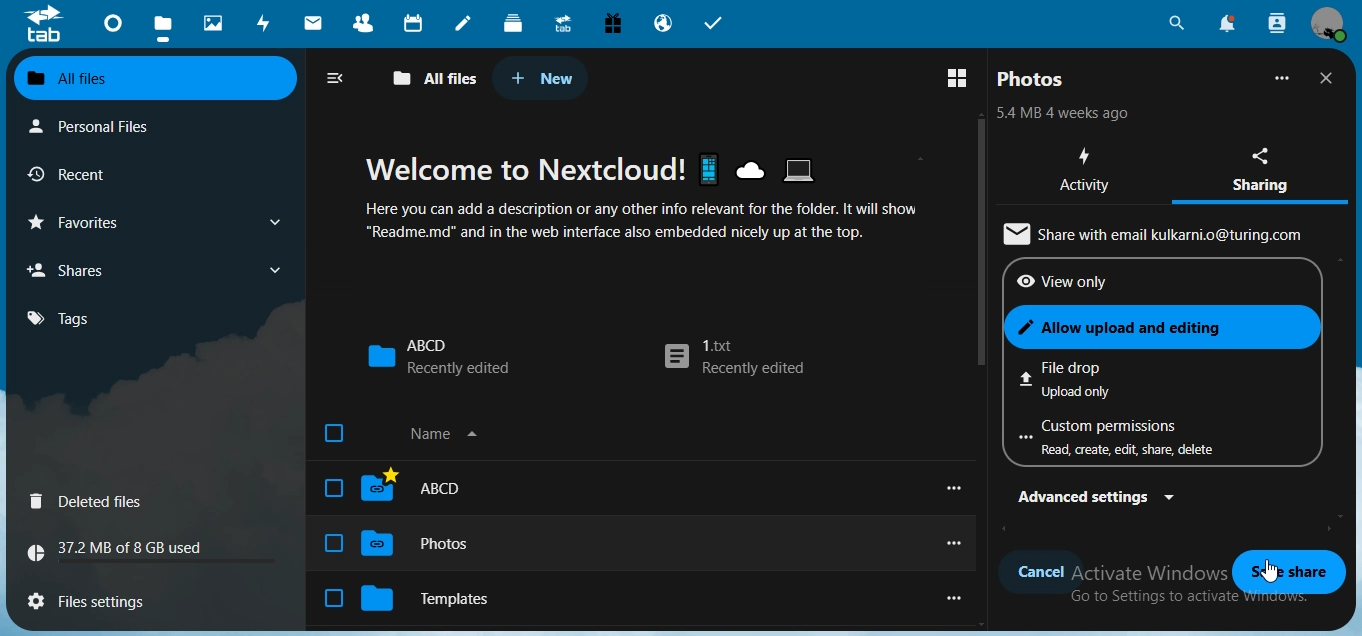 The image size is (1362, 636). What do you see at coordinates (1129, 439) in the screenshot?
I see `custom permissions` at bounding box center [1129, 439].